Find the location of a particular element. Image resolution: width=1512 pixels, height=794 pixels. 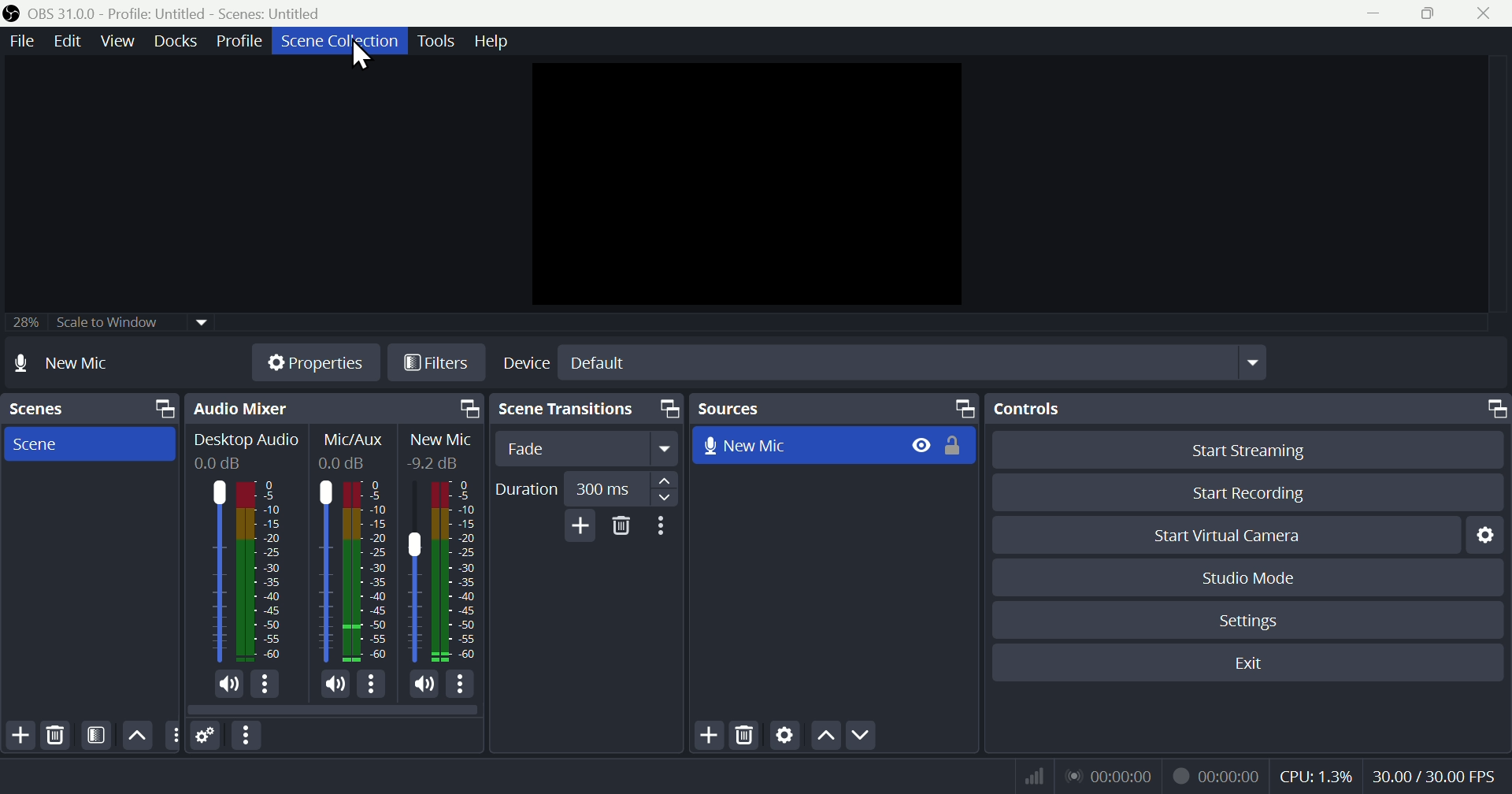

-9.2dB is located at coordinates (435, 464).